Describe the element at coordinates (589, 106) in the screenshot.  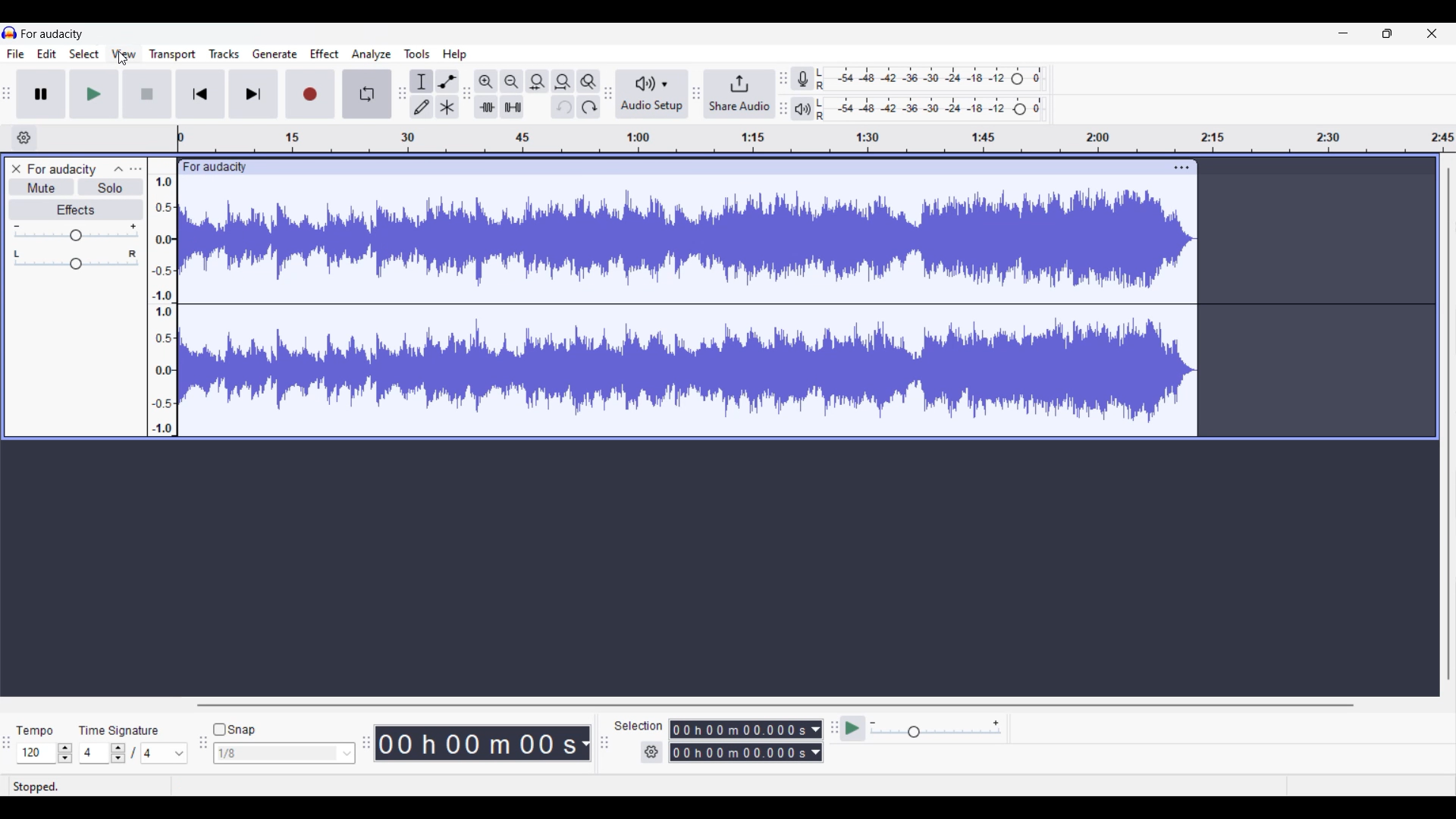
I see `Redo` at that location.